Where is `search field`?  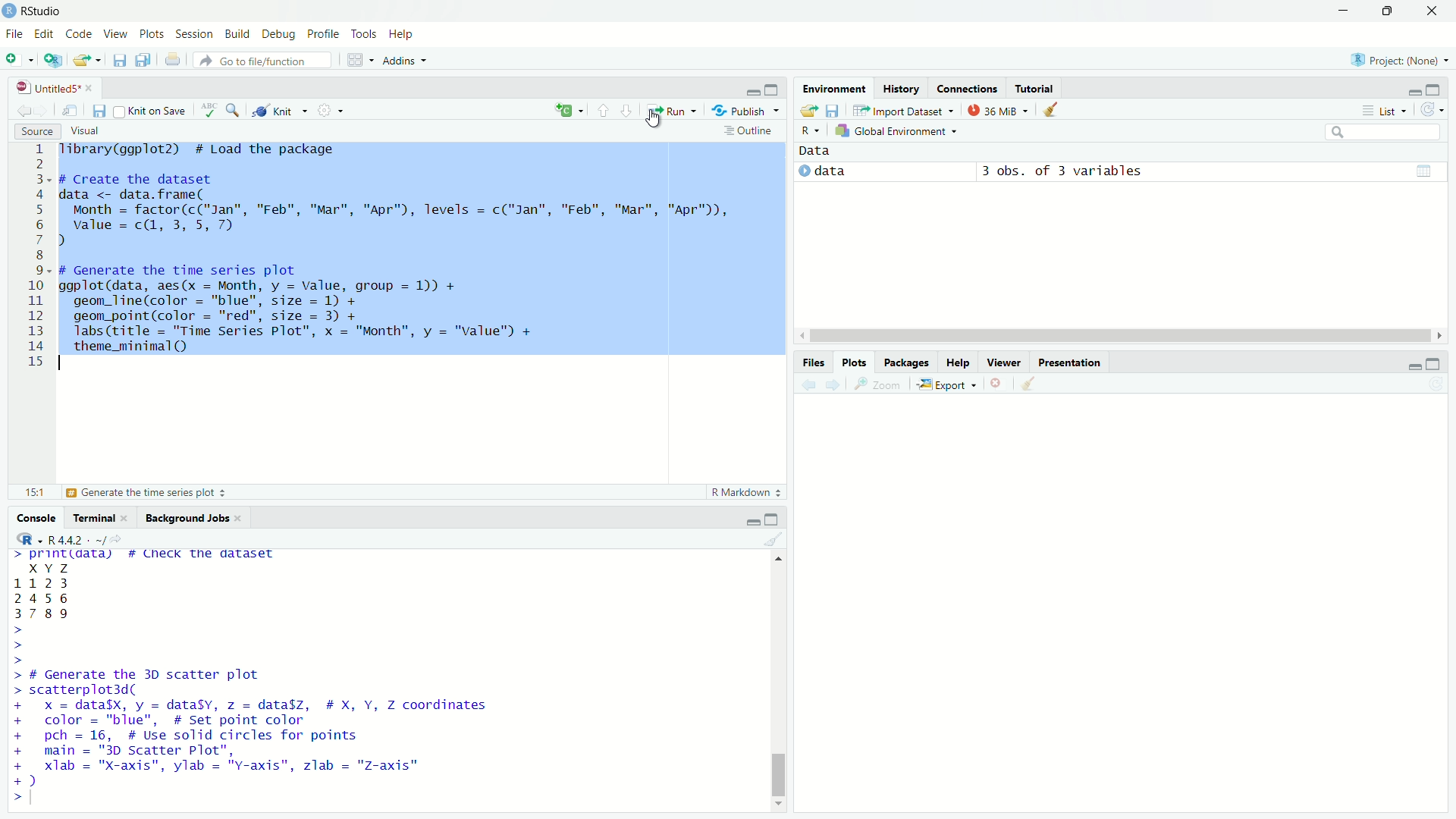 search field is located at coordinates (1382, 132).